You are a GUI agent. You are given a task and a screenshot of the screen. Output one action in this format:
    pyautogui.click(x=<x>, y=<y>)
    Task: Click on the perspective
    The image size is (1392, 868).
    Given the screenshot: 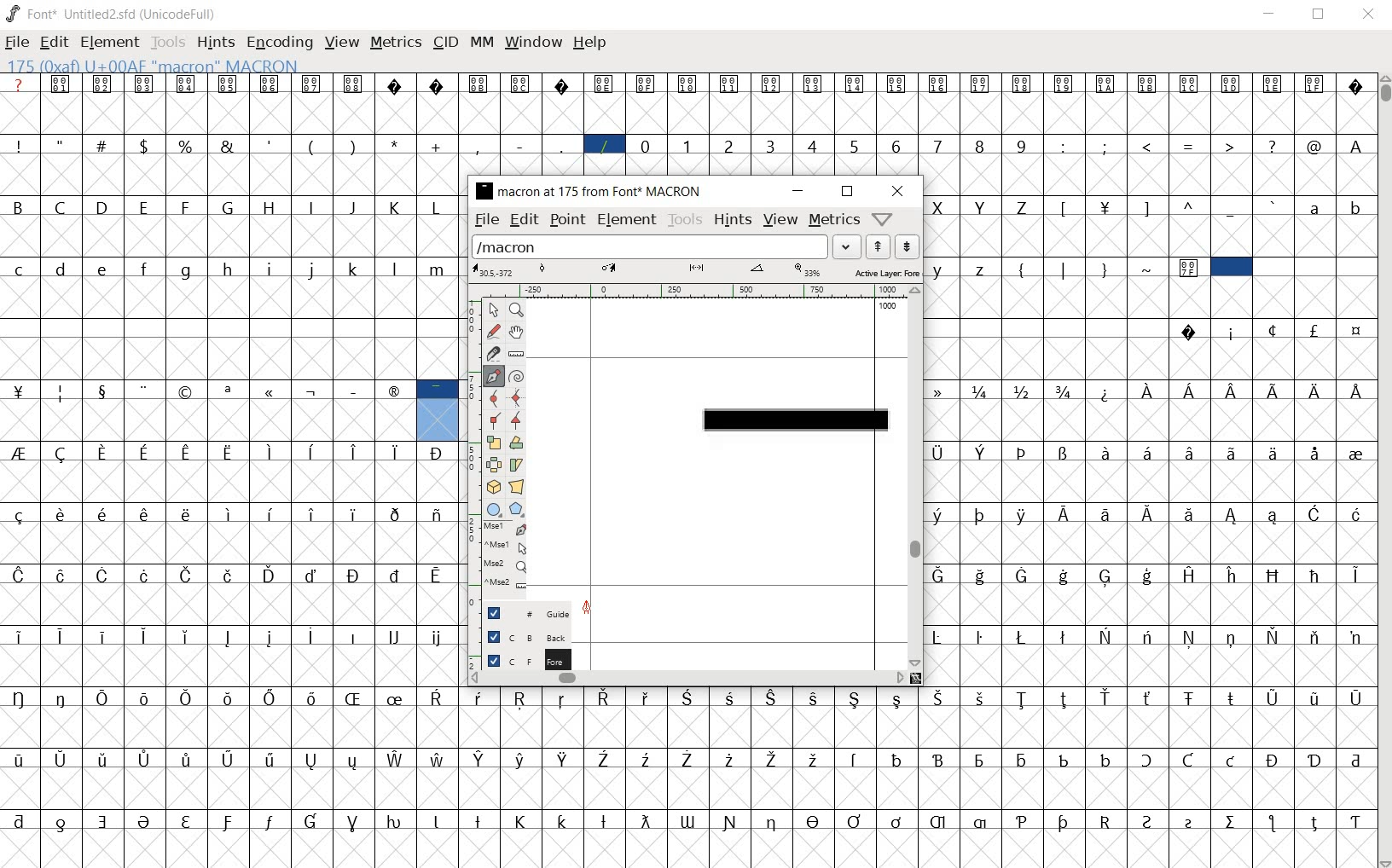 What is the action you would take?
    pyautogui.click(x=517, y=487)
    